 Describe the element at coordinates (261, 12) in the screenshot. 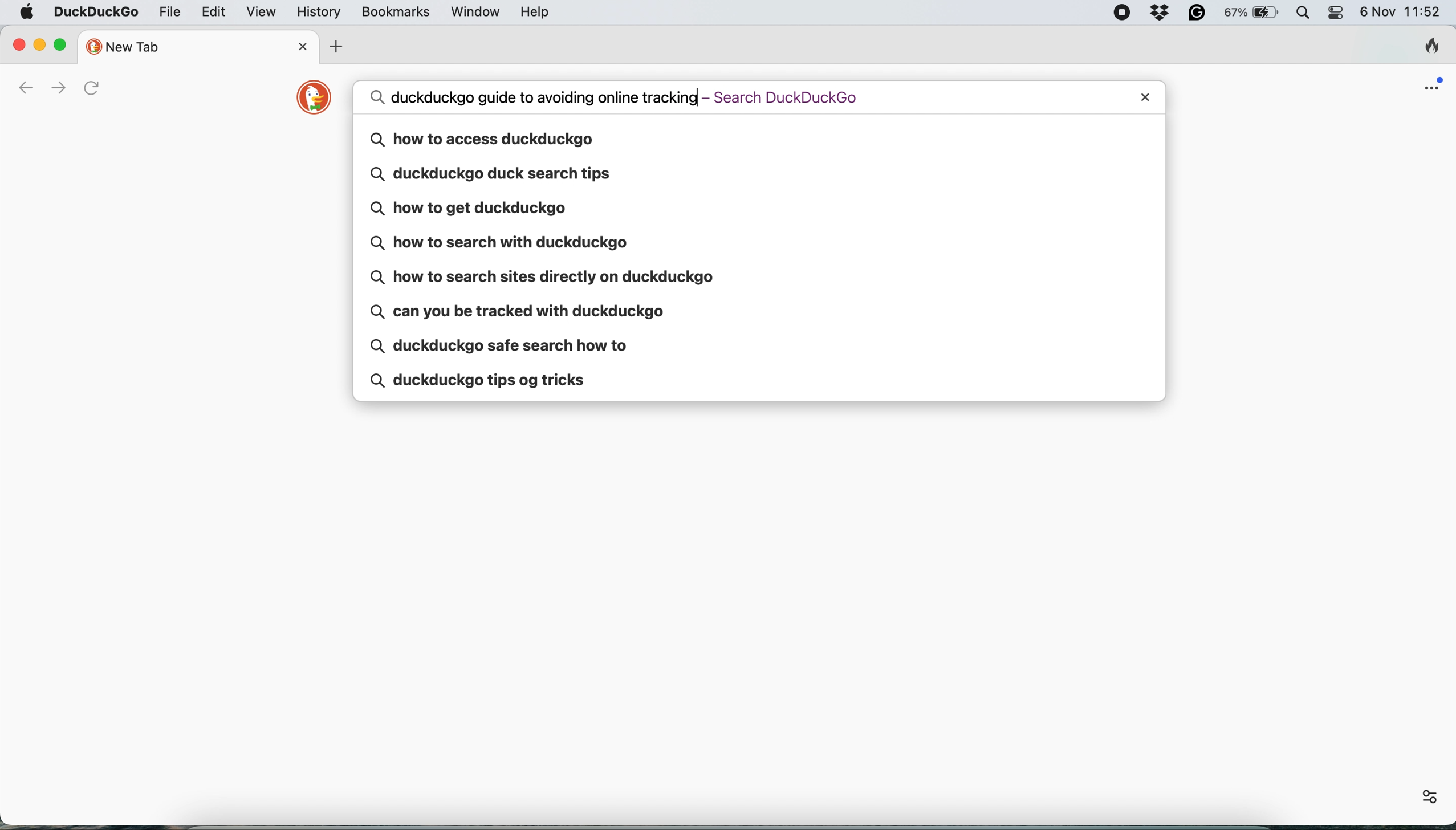

I see `view` at that location.